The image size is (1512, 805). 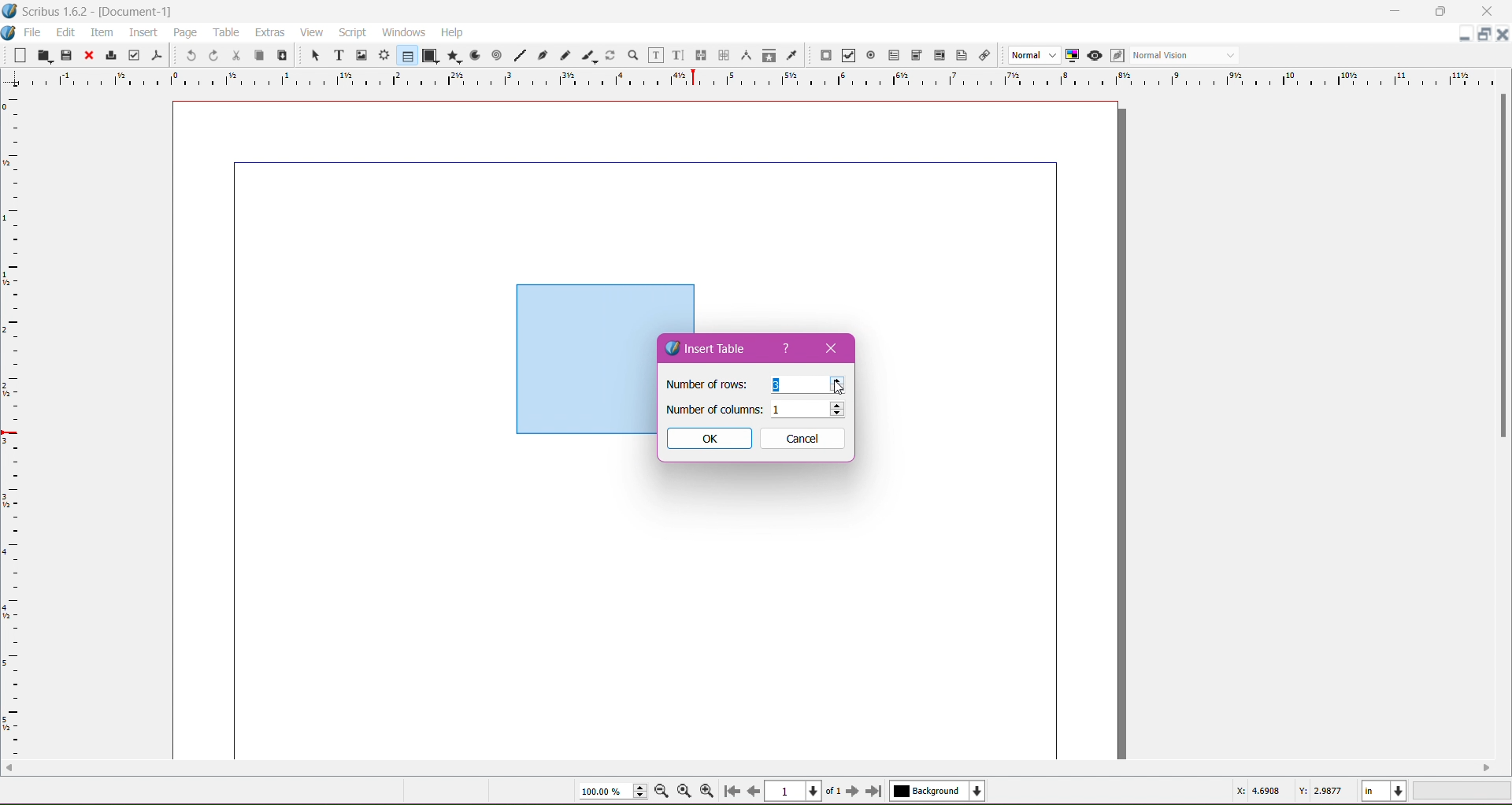 I want to click on Print, so click(x=109, y=57).